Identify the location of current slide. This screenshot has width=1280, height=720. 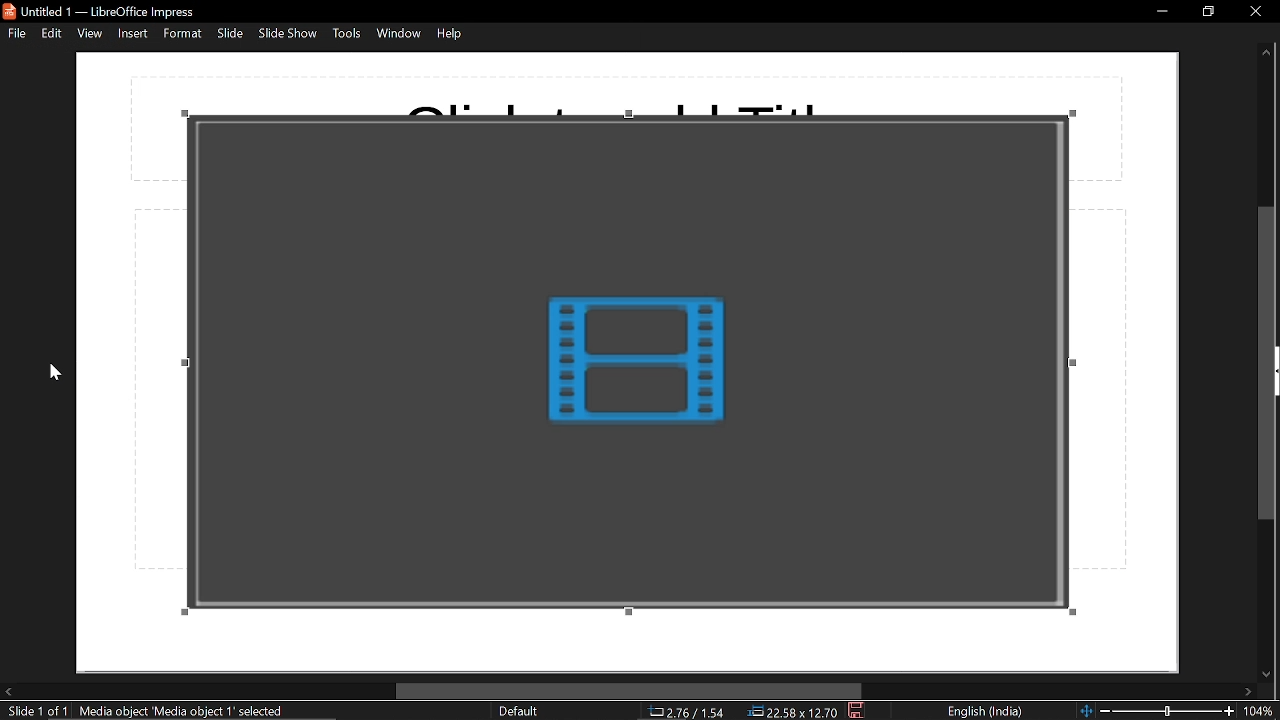
(36, 712).